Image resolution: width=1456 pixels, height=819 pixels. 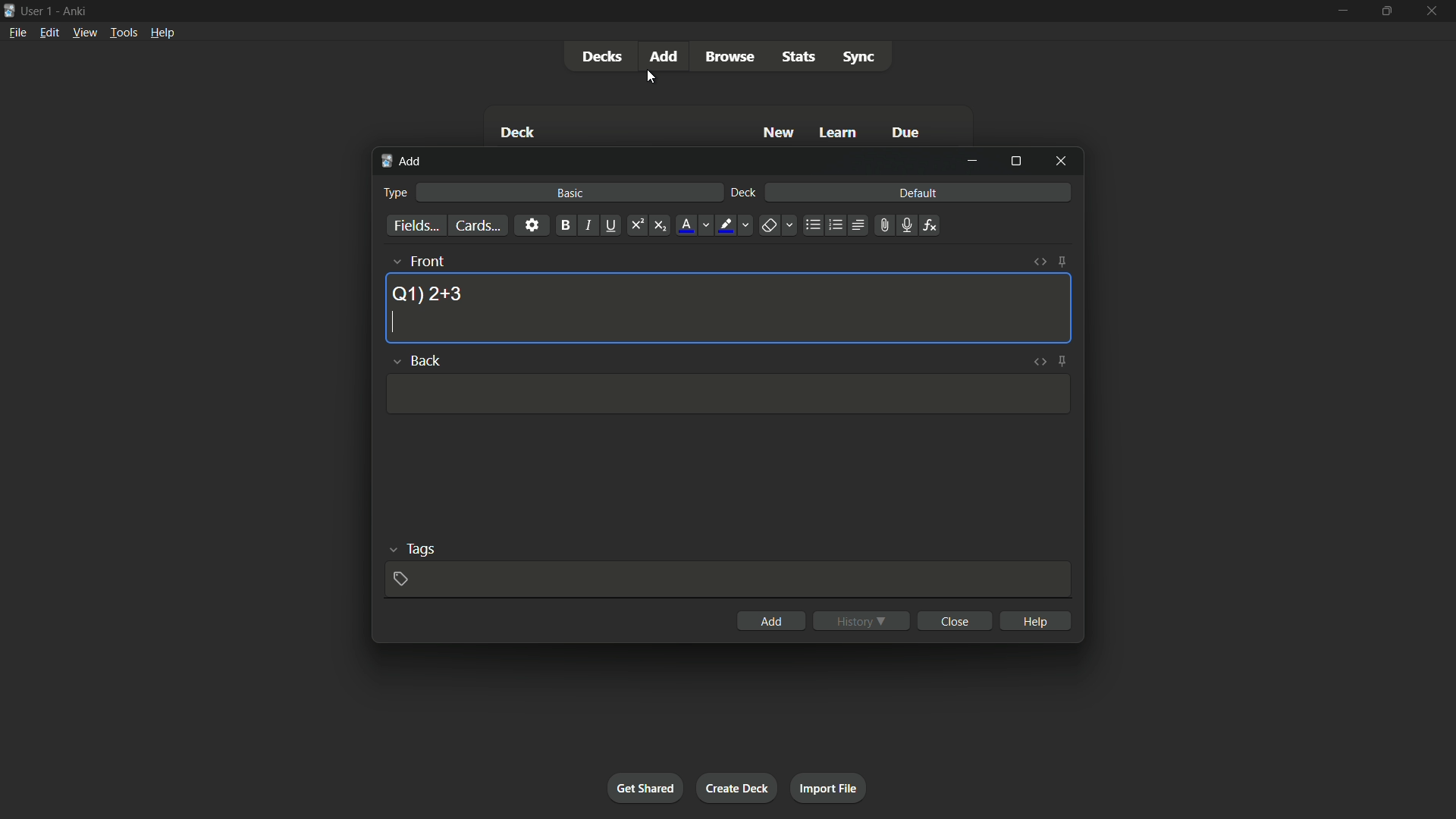 I want to click on record audio, so click(x=905, y=226).